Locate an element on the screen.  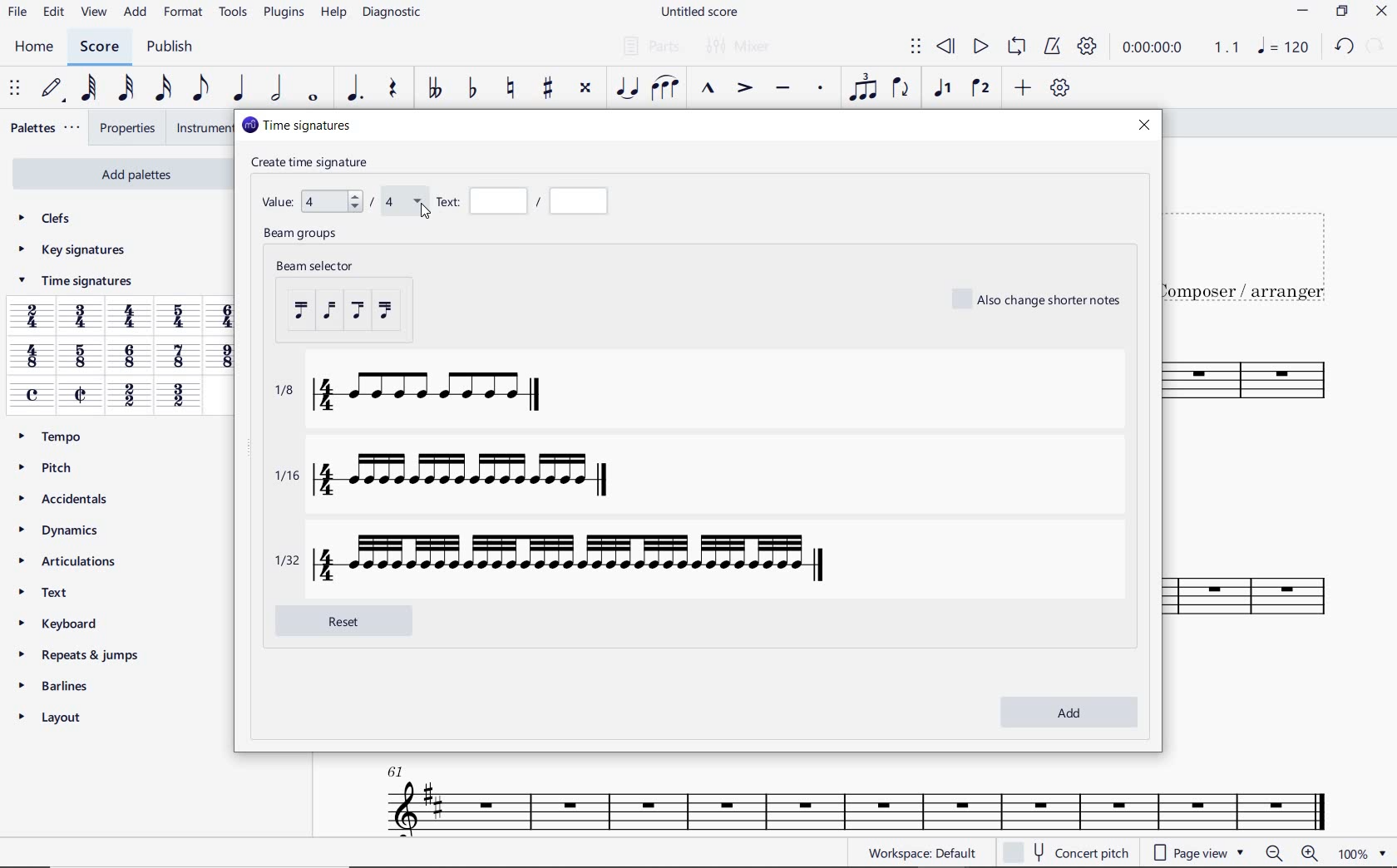
ARTICULATIONS is located at coordinates (70, 561).